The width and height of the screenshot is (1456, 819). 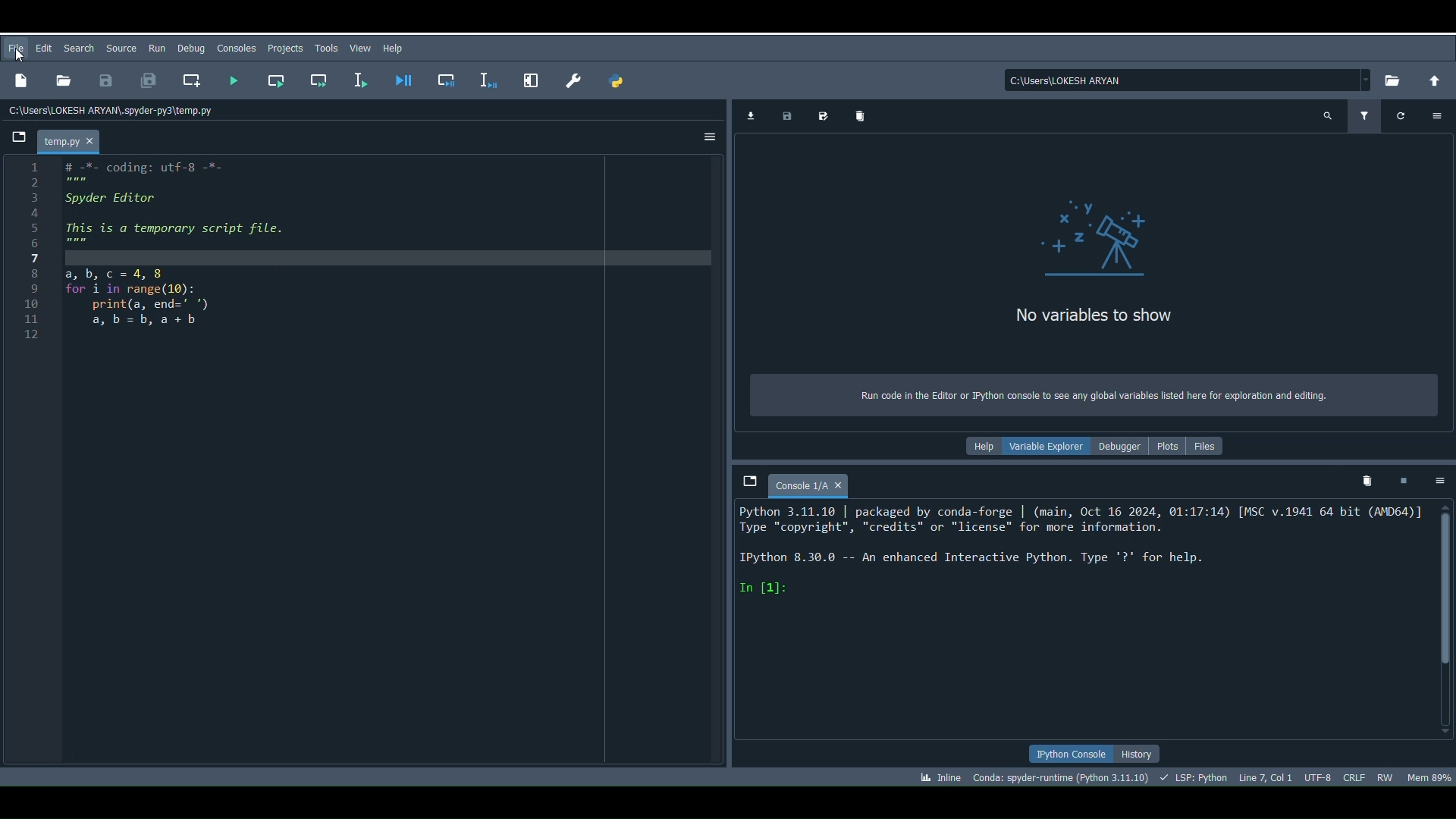 I want to click on Change to parent directory, so click(x=1433, y=80).